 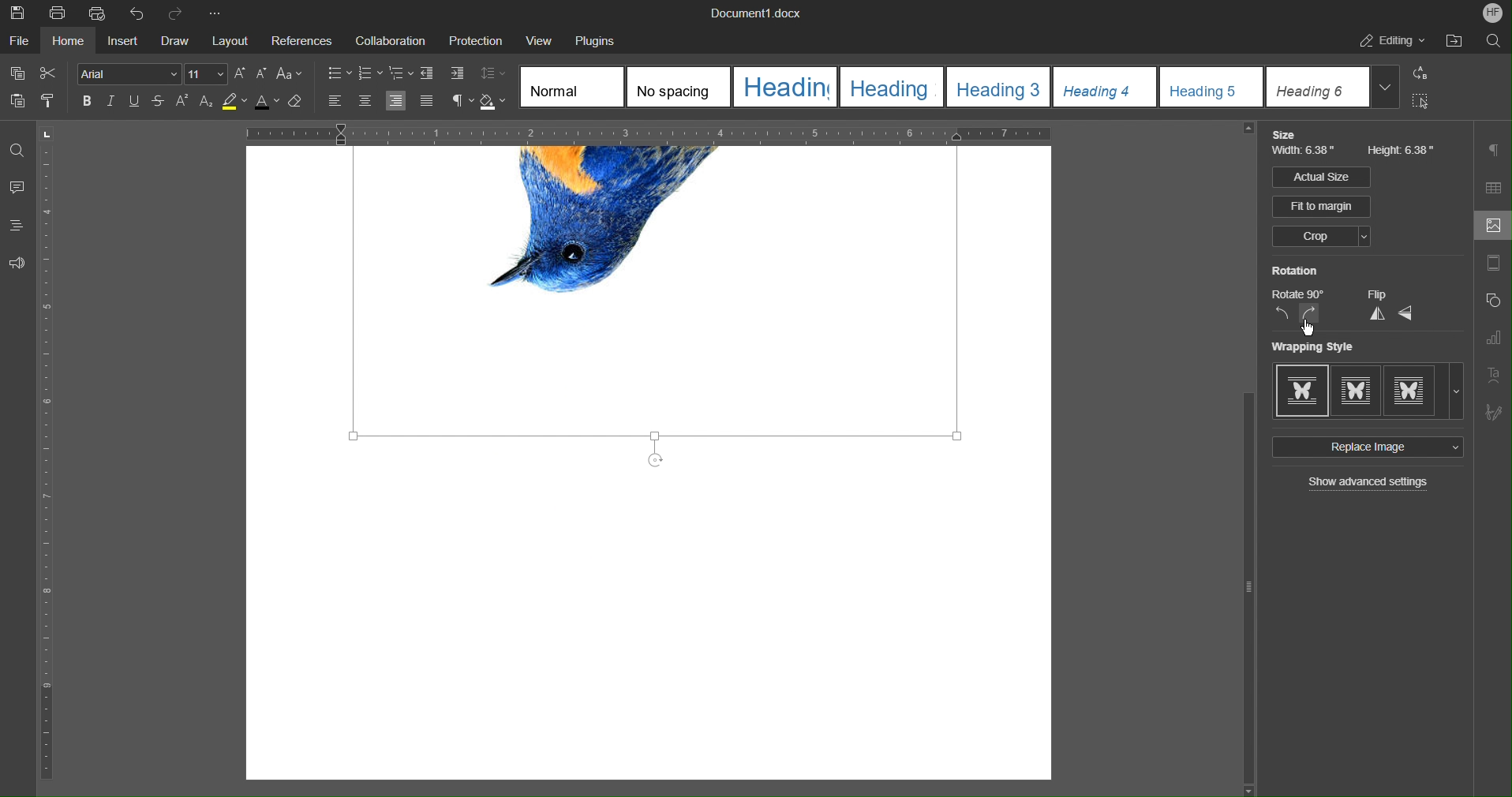 What do you see at coordinates (1000, 86) in the screenshot?
I see `Heading 3` at bounding box center [1000, 86].